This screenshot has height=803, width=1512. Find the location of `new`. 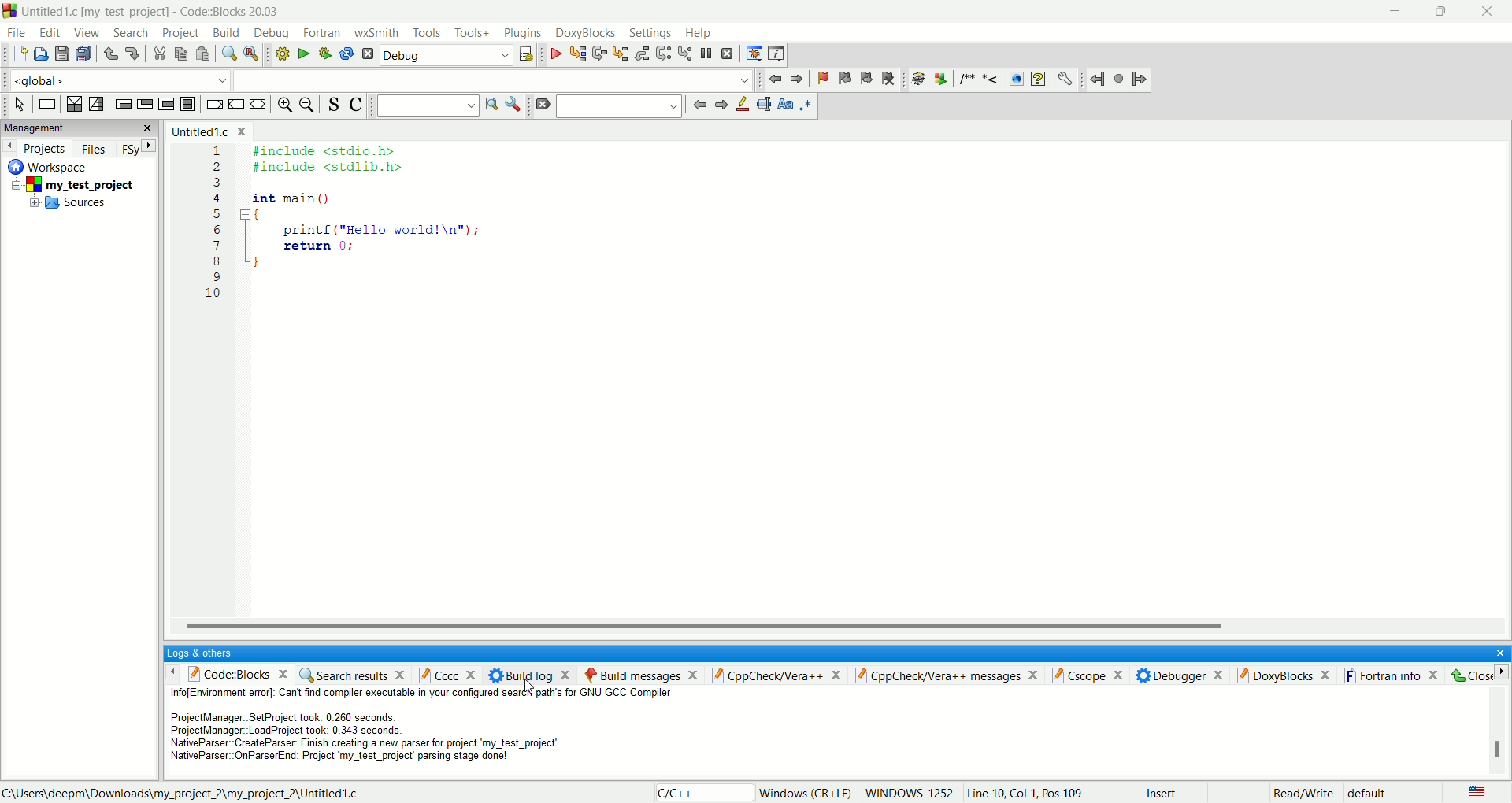

new is located at coordinates (19, 54).